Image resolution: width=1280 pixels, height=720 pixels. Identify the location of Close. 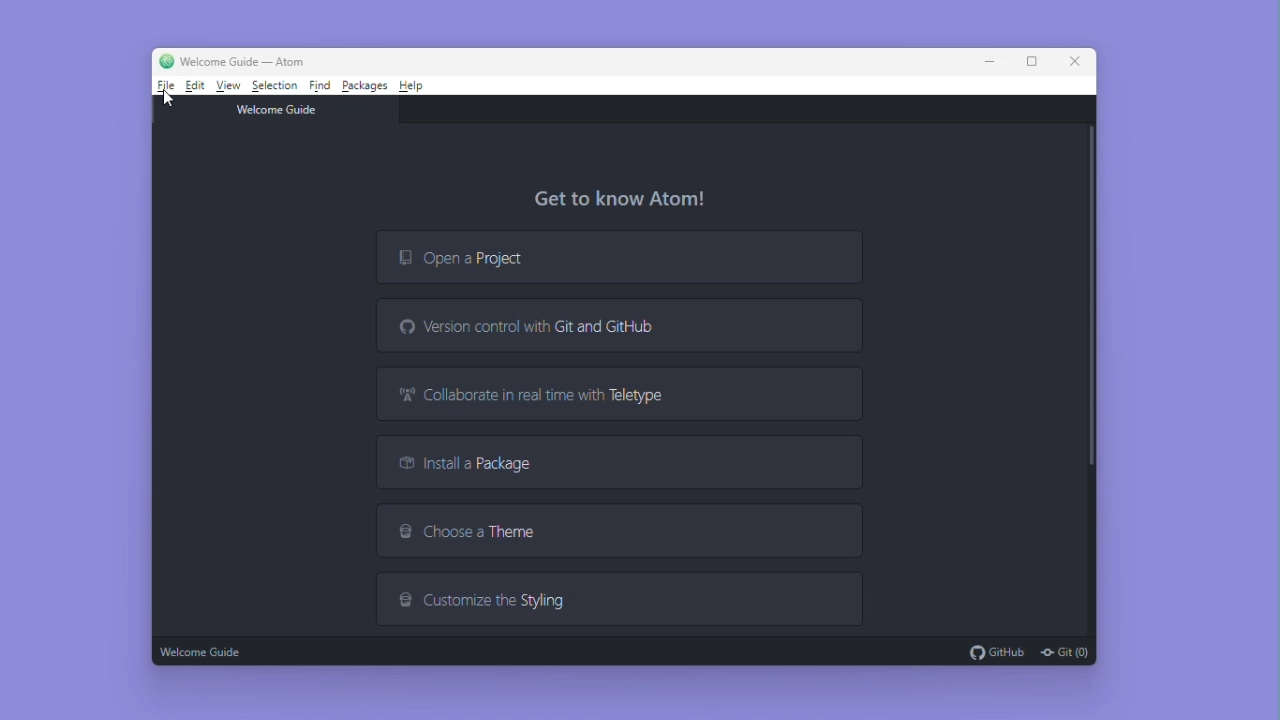
(1076, 59).